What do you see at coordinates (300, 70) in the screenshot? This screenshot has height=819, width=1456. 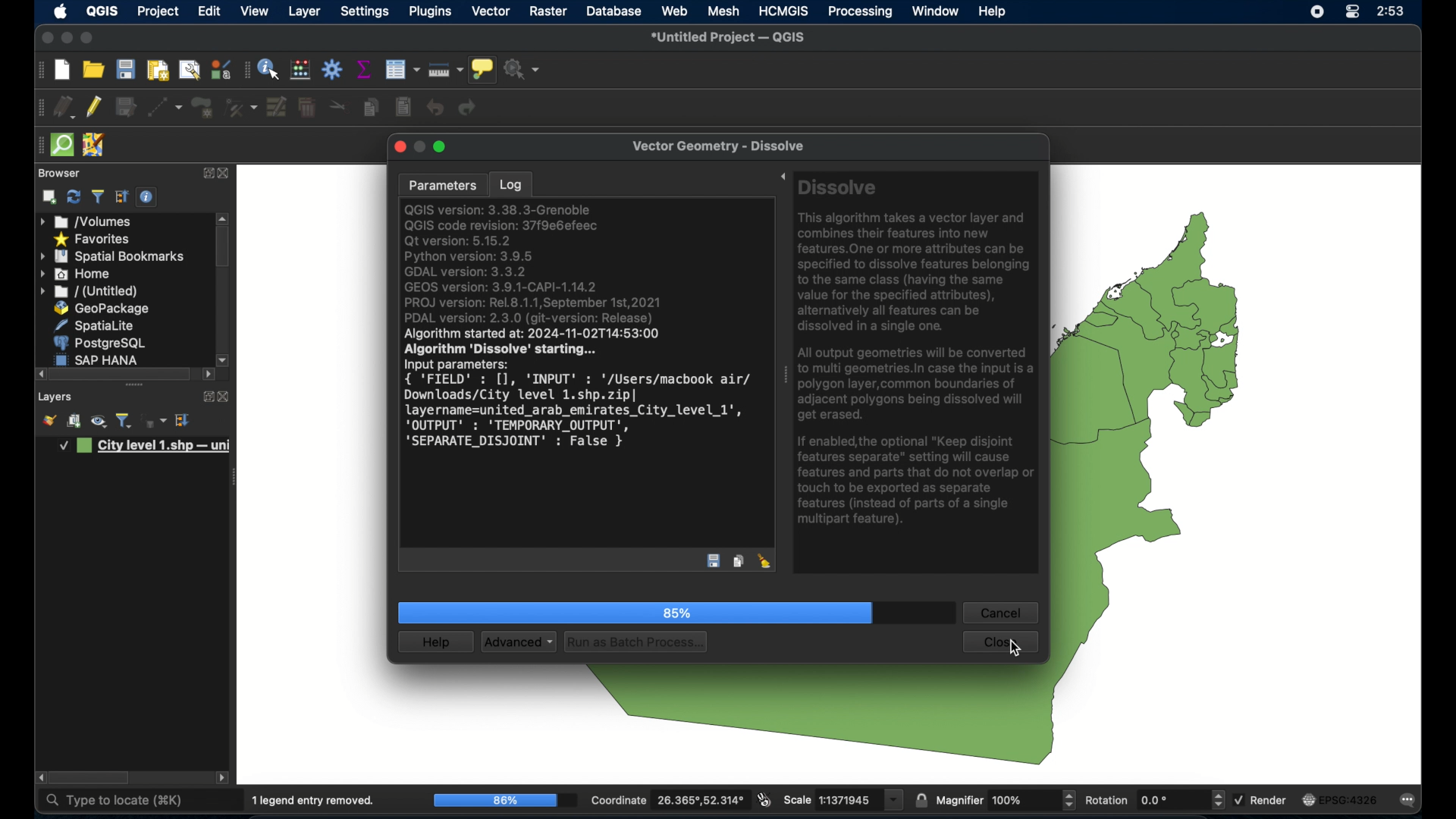 I see `open field calculator` at bounding box center [300, 70].